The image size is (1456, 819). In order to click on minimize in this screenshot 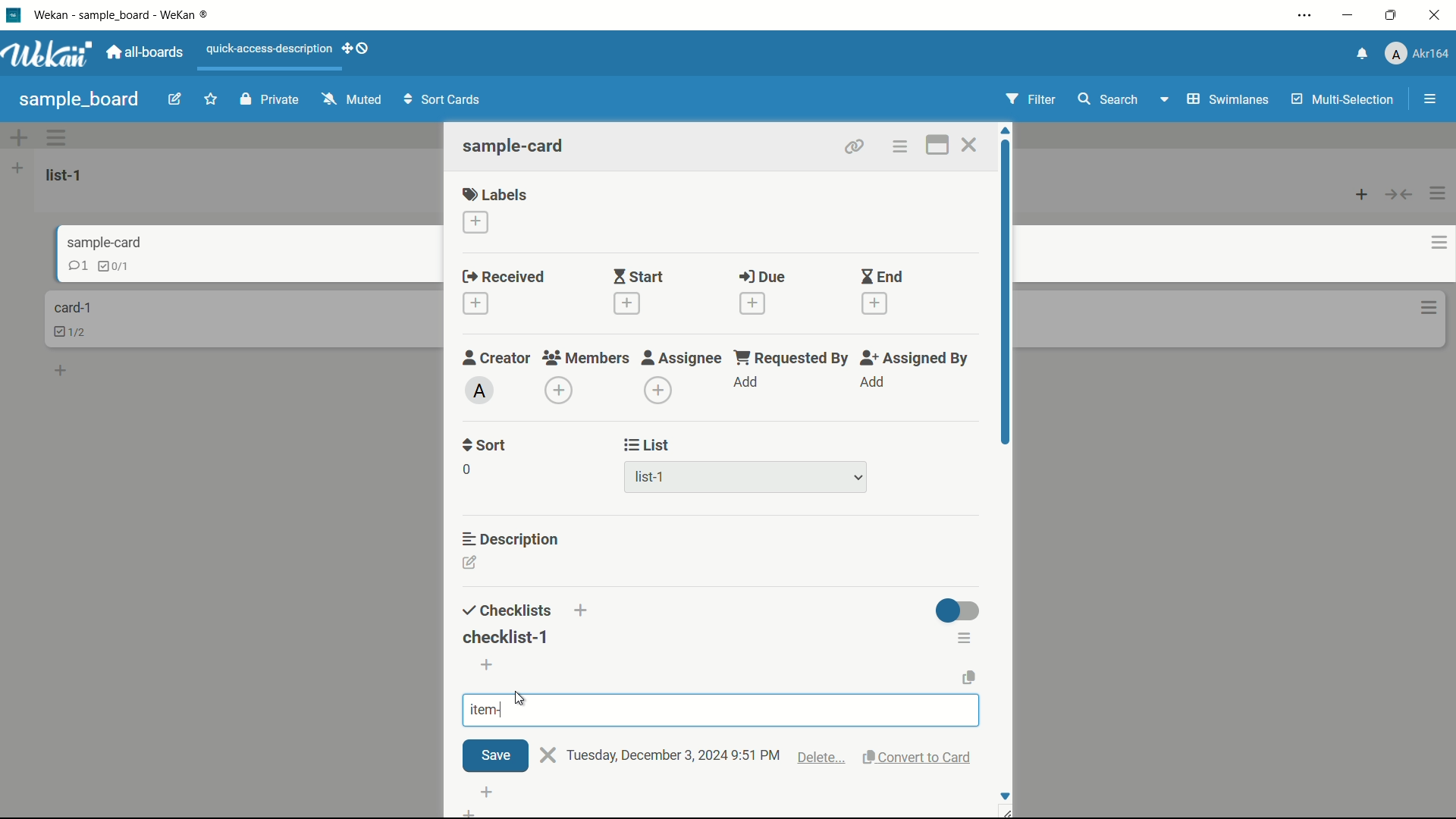, I will do `click(1350, 15)`.